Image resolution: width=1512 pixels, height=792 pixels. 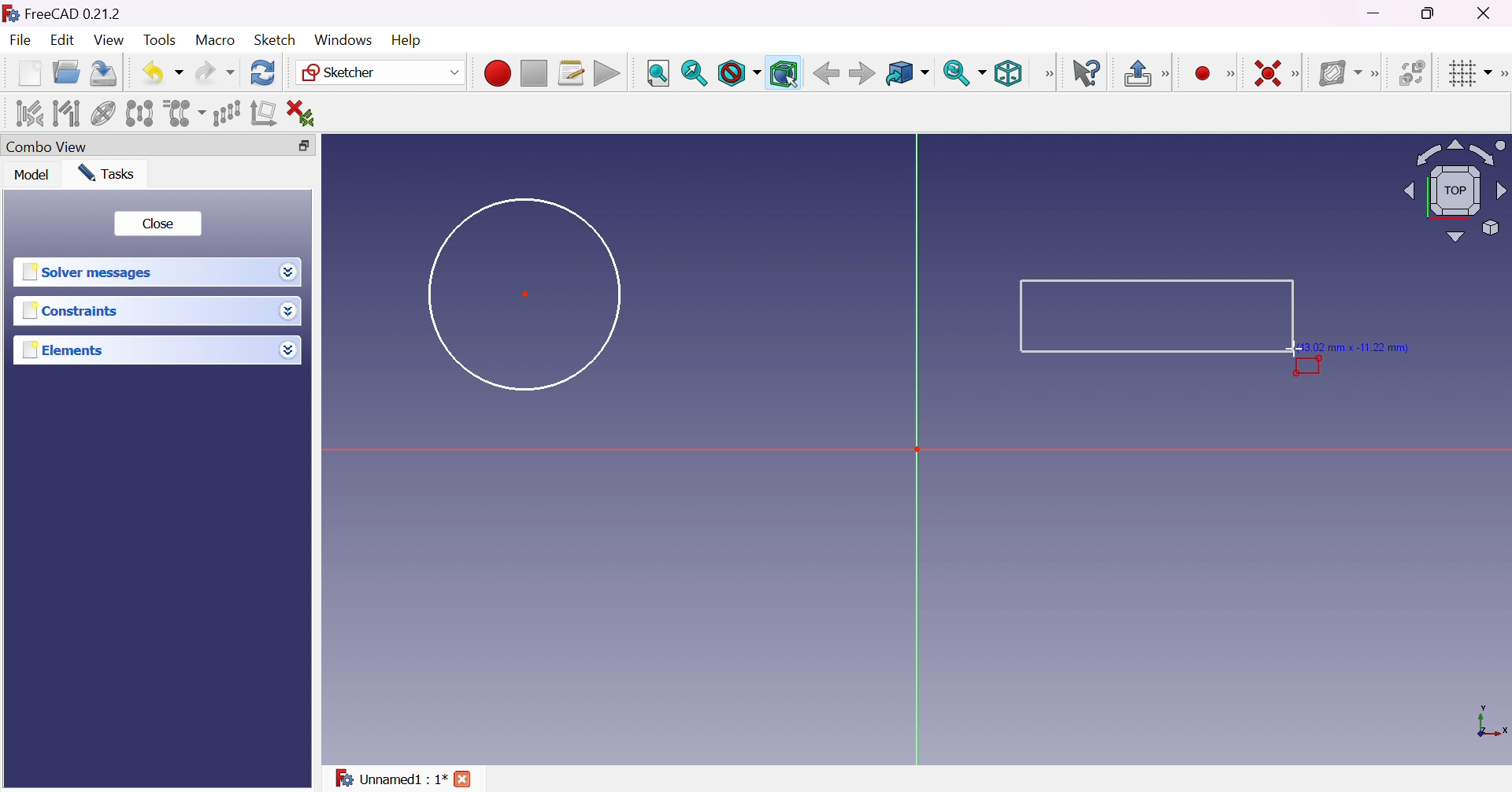 I want to click on (13.02 mm × -11.22 mm), so click(x=1360, y=346).